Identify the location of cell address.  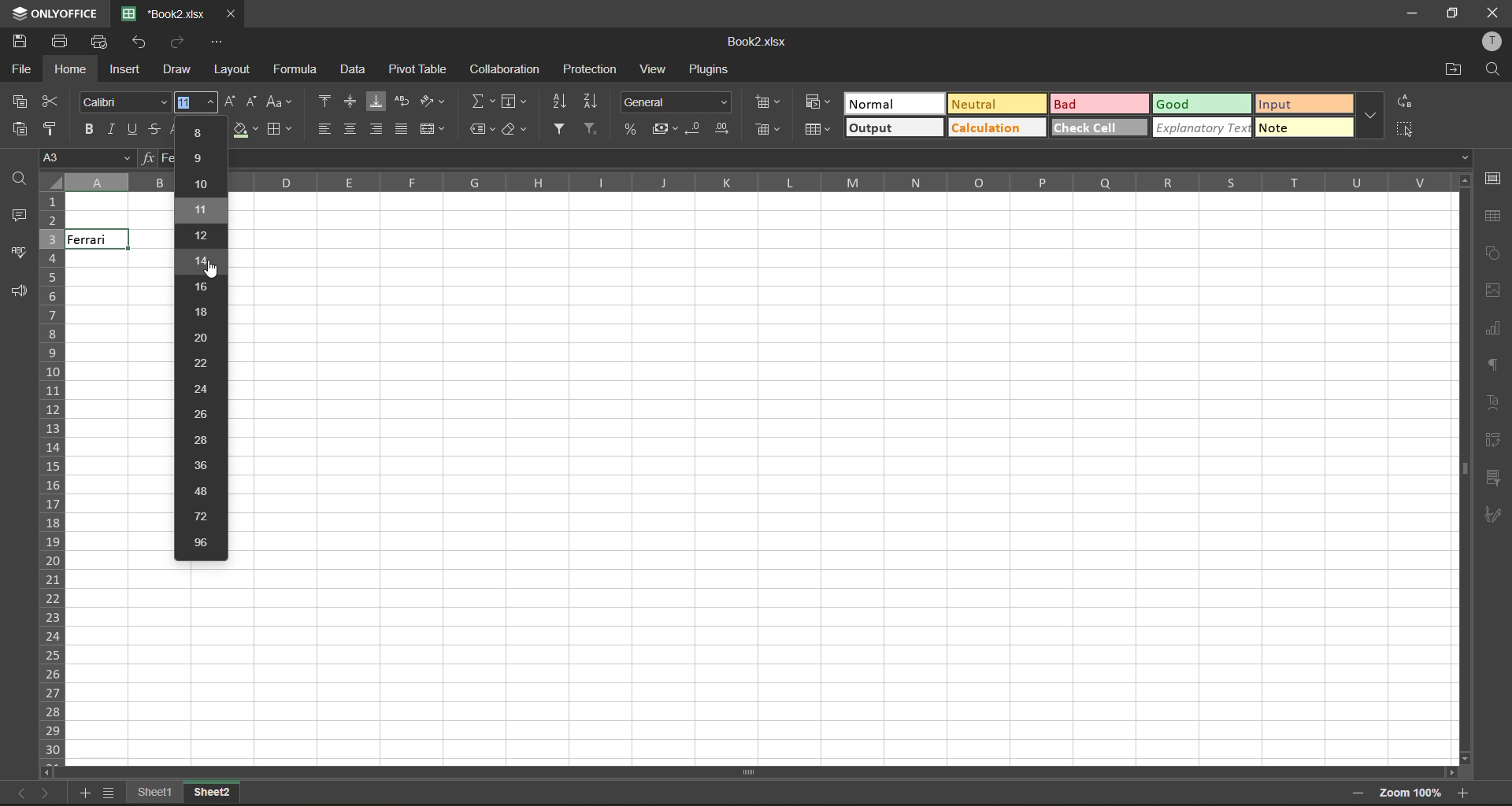
(108, 157).